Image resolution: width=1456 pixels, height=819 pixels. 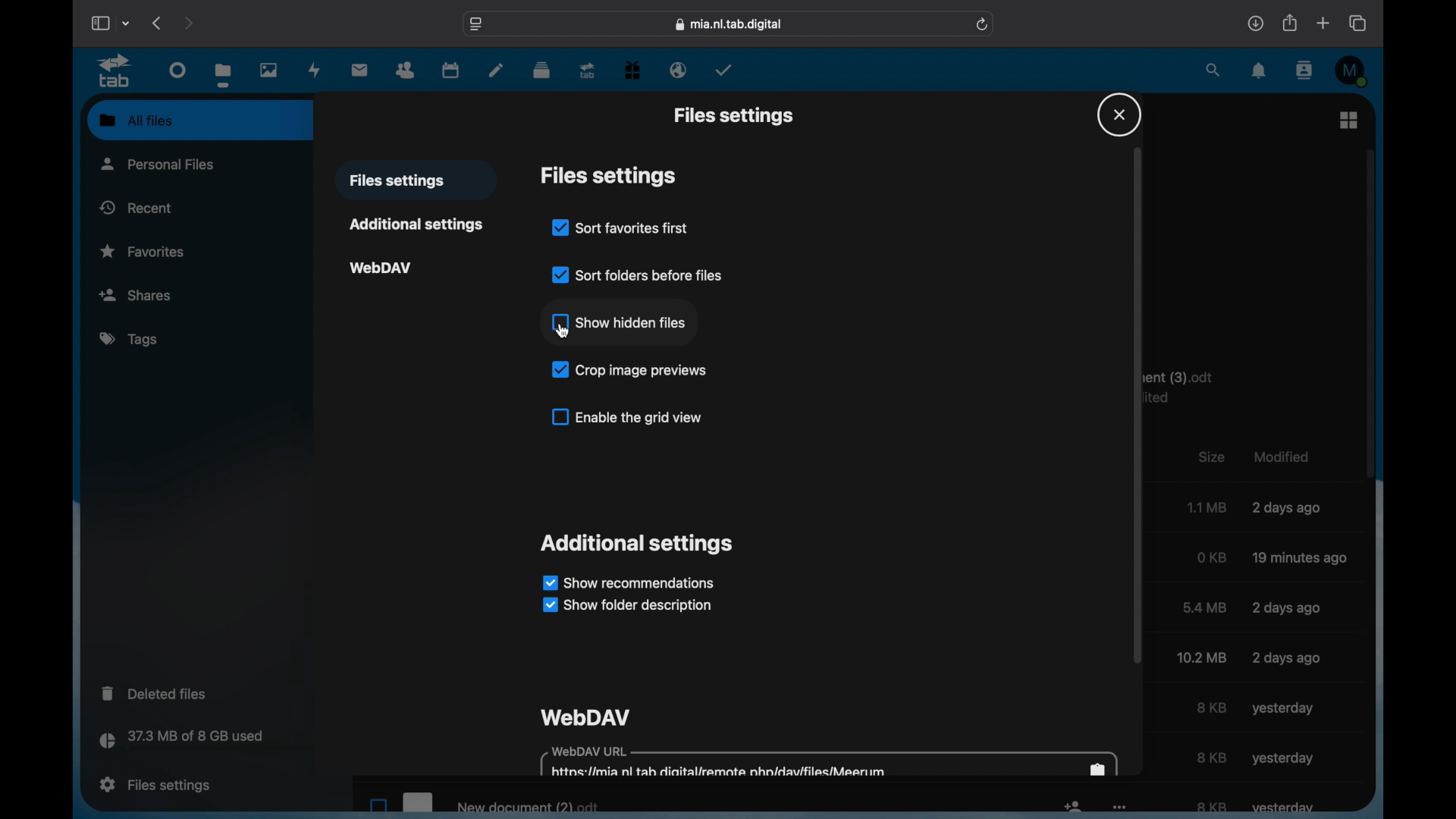 What do you see at coordinates (142, 295) in the screenshot?
I see `shares` at bounding box center [142, 295].